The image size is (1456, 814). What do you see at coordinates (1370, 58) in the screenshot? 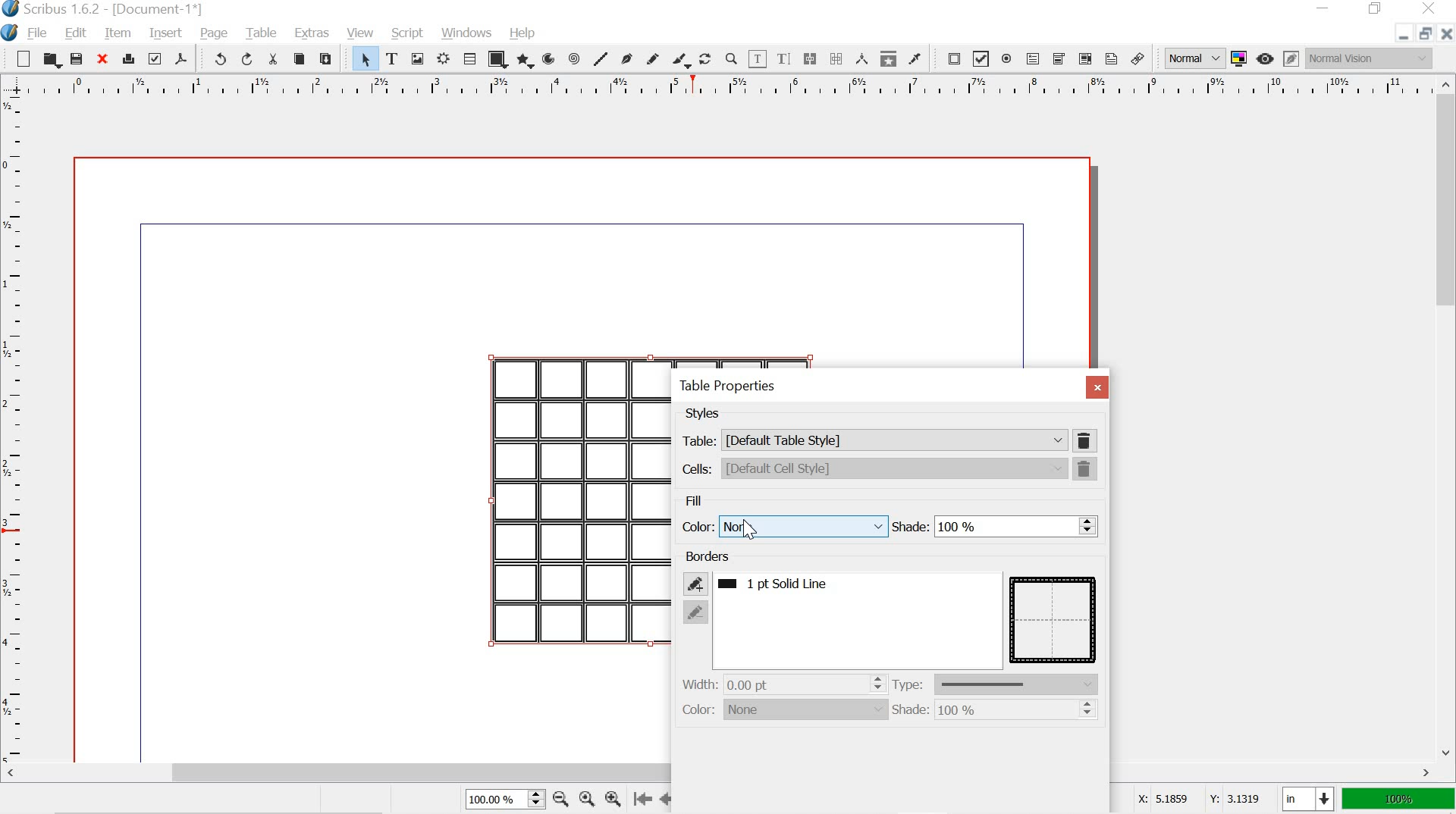
I see `normal vision` at bounding box center [1370, 58].